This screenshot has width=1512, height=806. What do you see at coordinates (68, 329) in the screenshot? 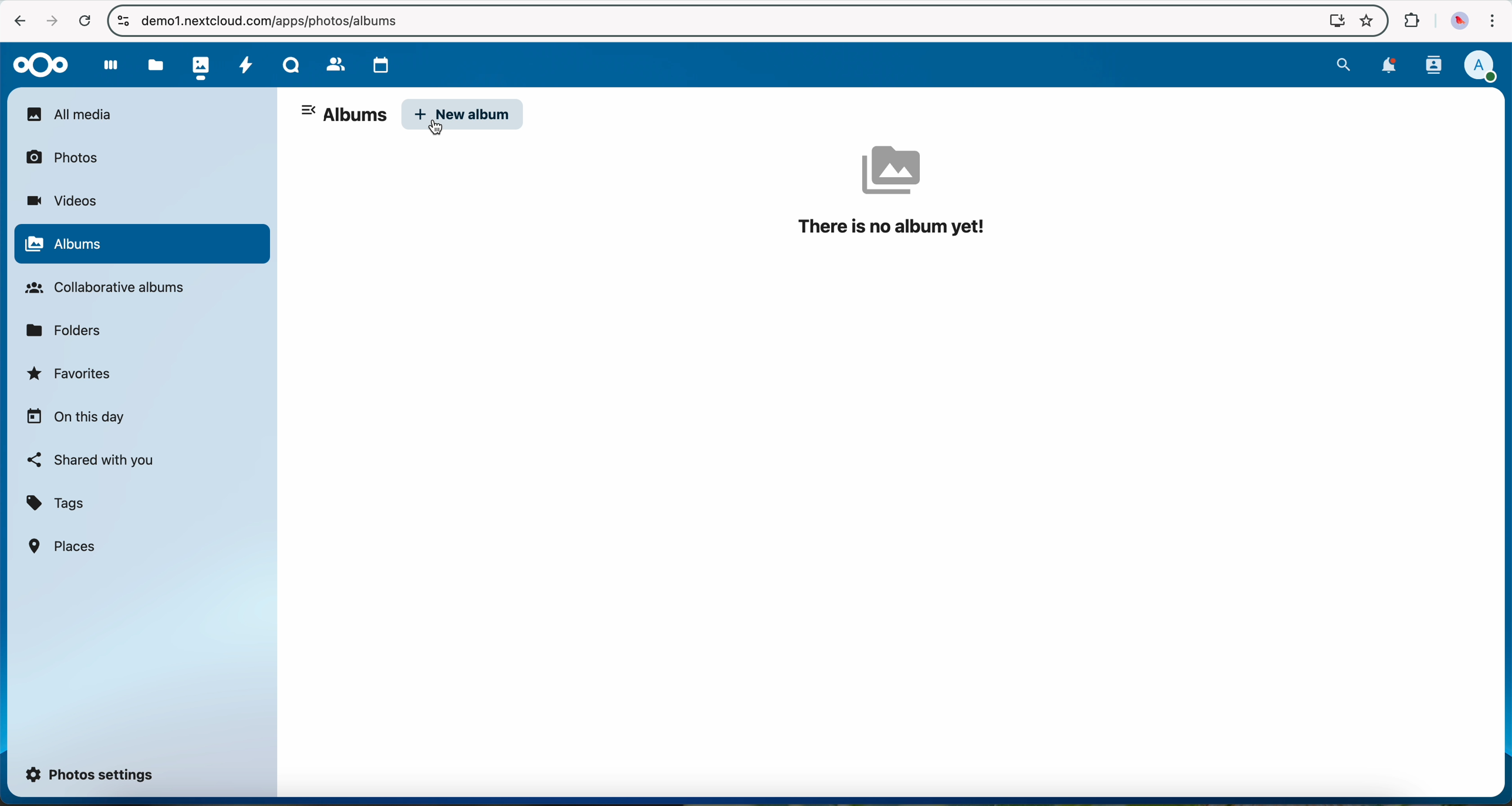
I see `folders` at bounding box center [68, 329].